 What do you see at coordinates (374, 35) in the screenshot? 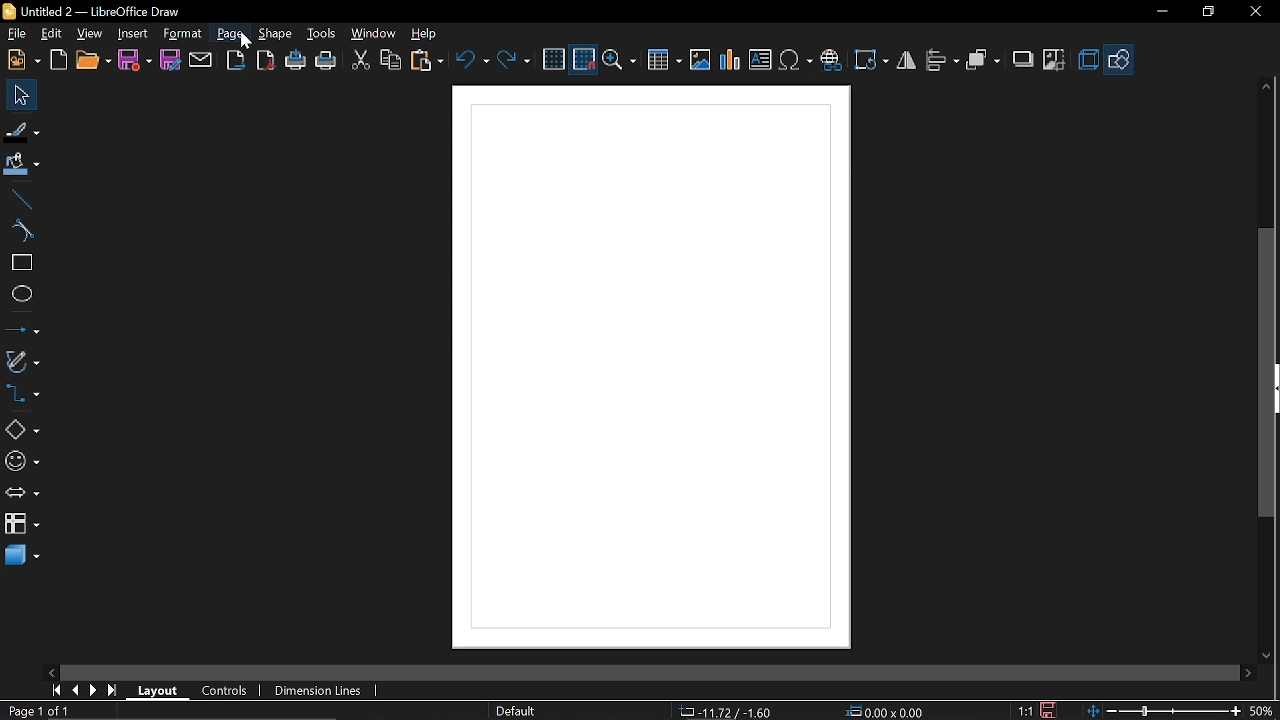
I see `Window` at bounding box center [374, 35].